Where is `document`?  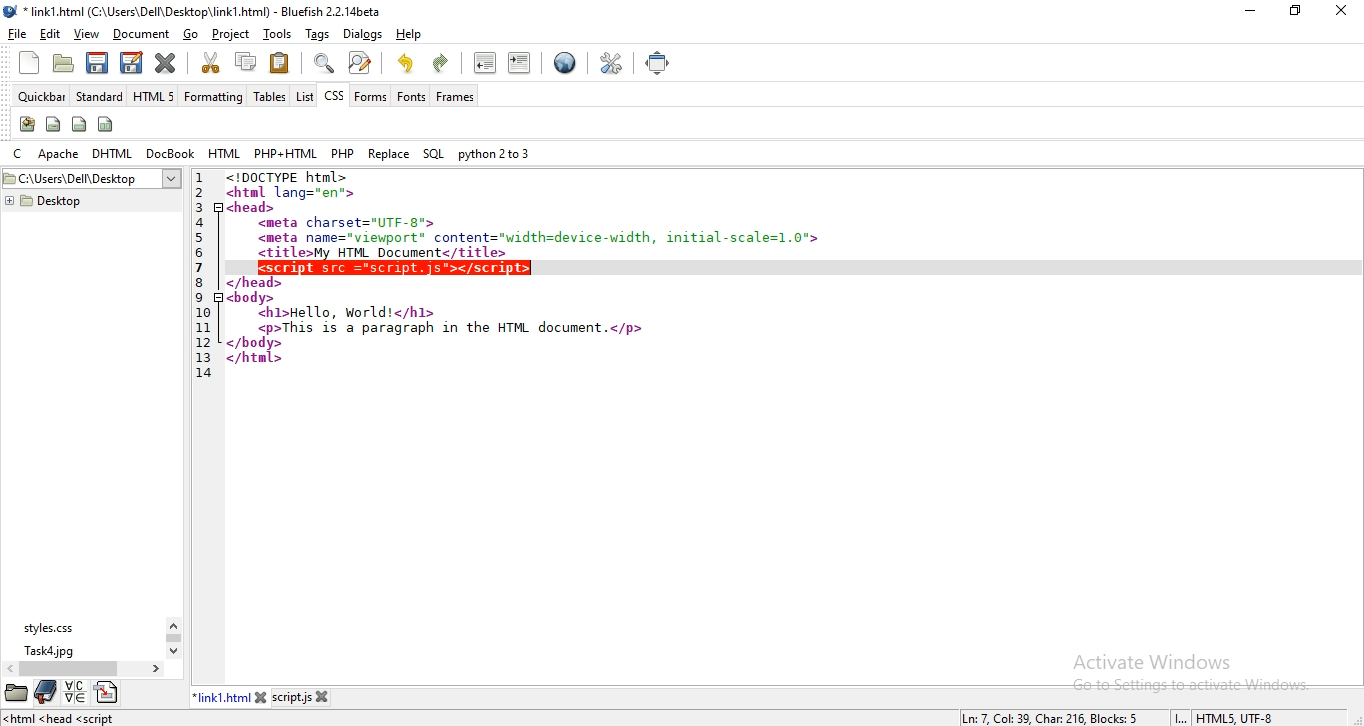
document is located at coordinates (141, 32).